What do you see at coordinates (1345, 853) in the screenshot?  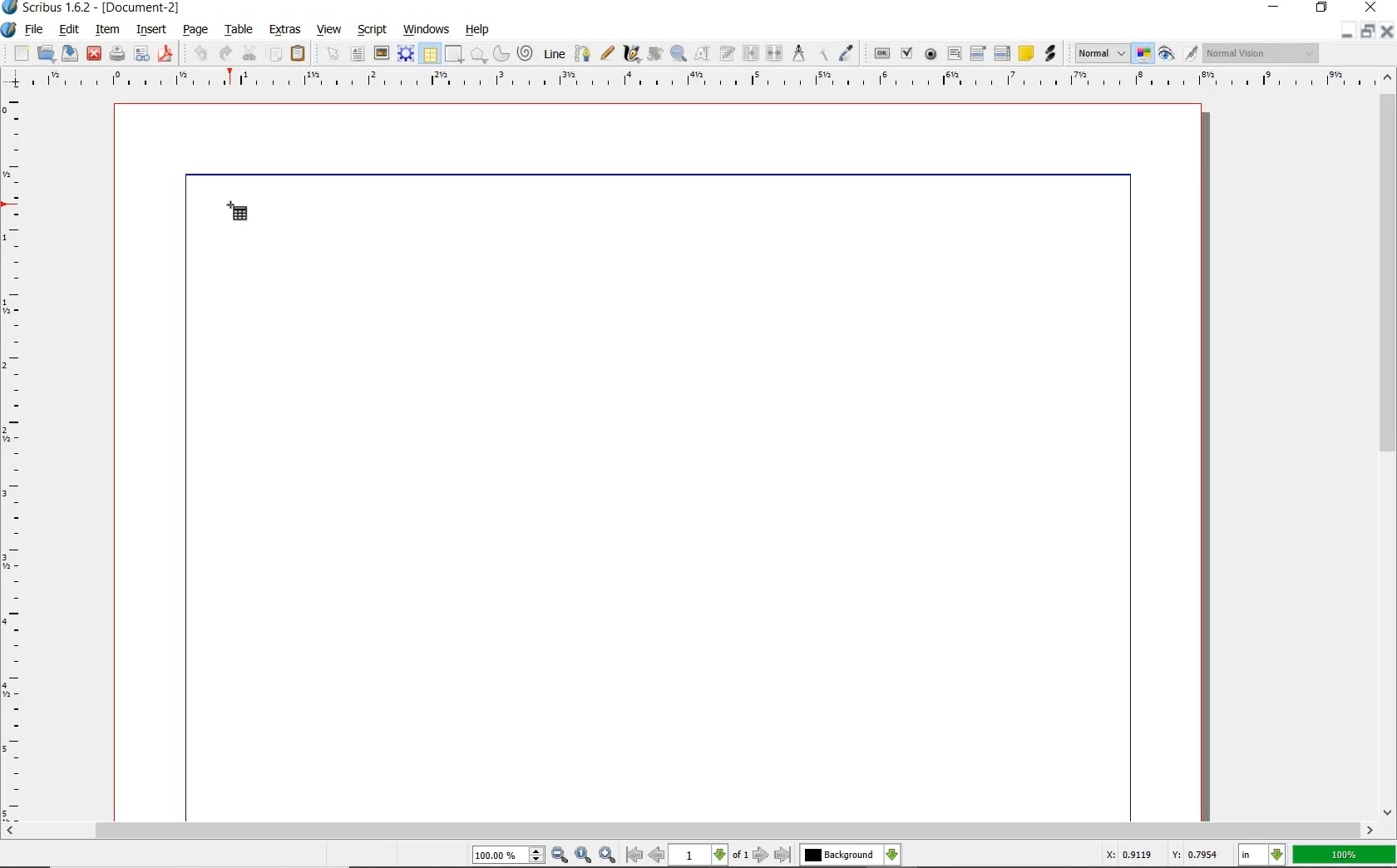 I see `100%` at bounding box center [1345, 853].